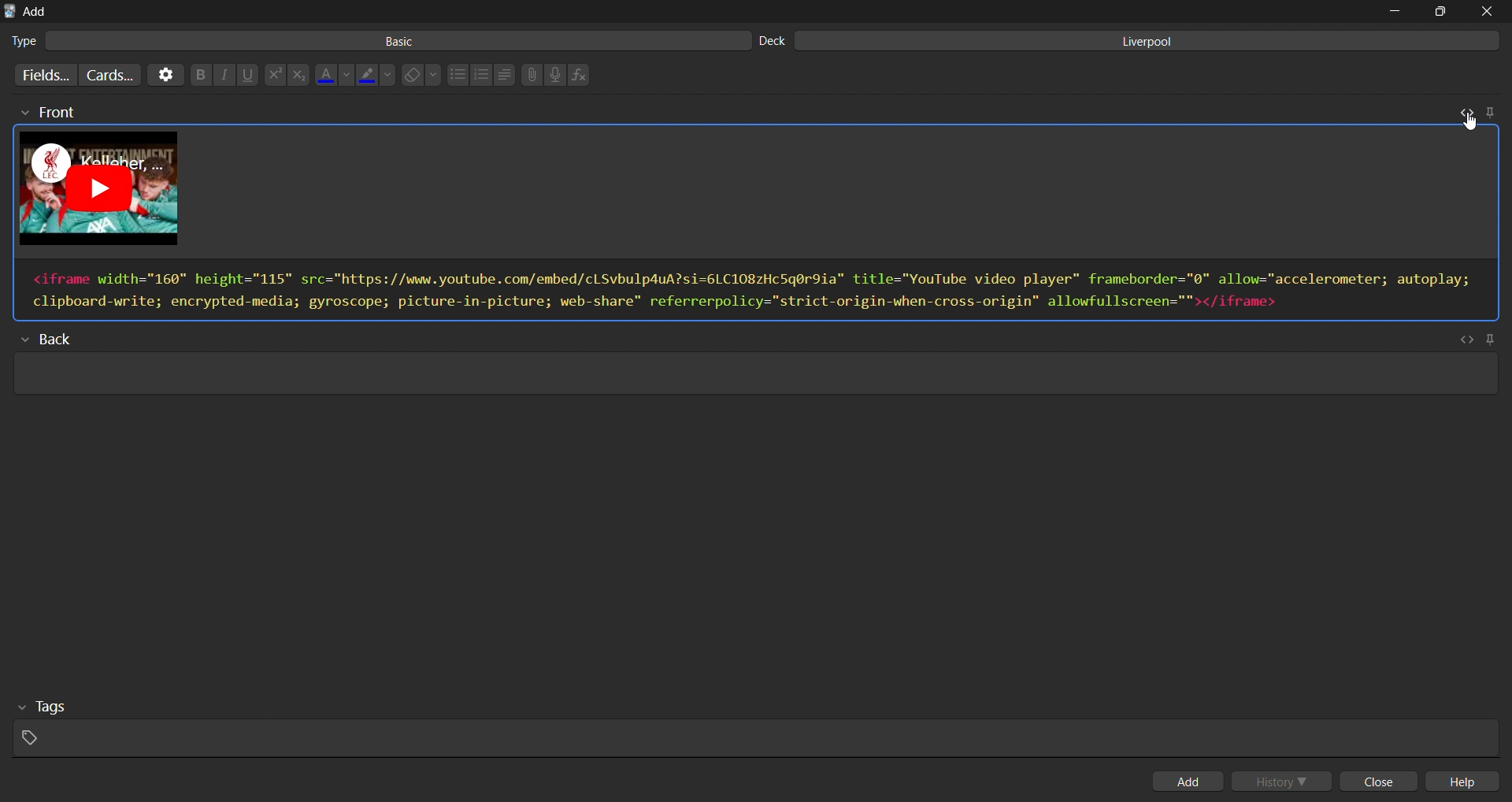 The width and height of the screenshot is (1512, 802). What do you see at coordinates (42, 75) in the screenshot?
I see `customize fields` at bounding box center [42, 75].